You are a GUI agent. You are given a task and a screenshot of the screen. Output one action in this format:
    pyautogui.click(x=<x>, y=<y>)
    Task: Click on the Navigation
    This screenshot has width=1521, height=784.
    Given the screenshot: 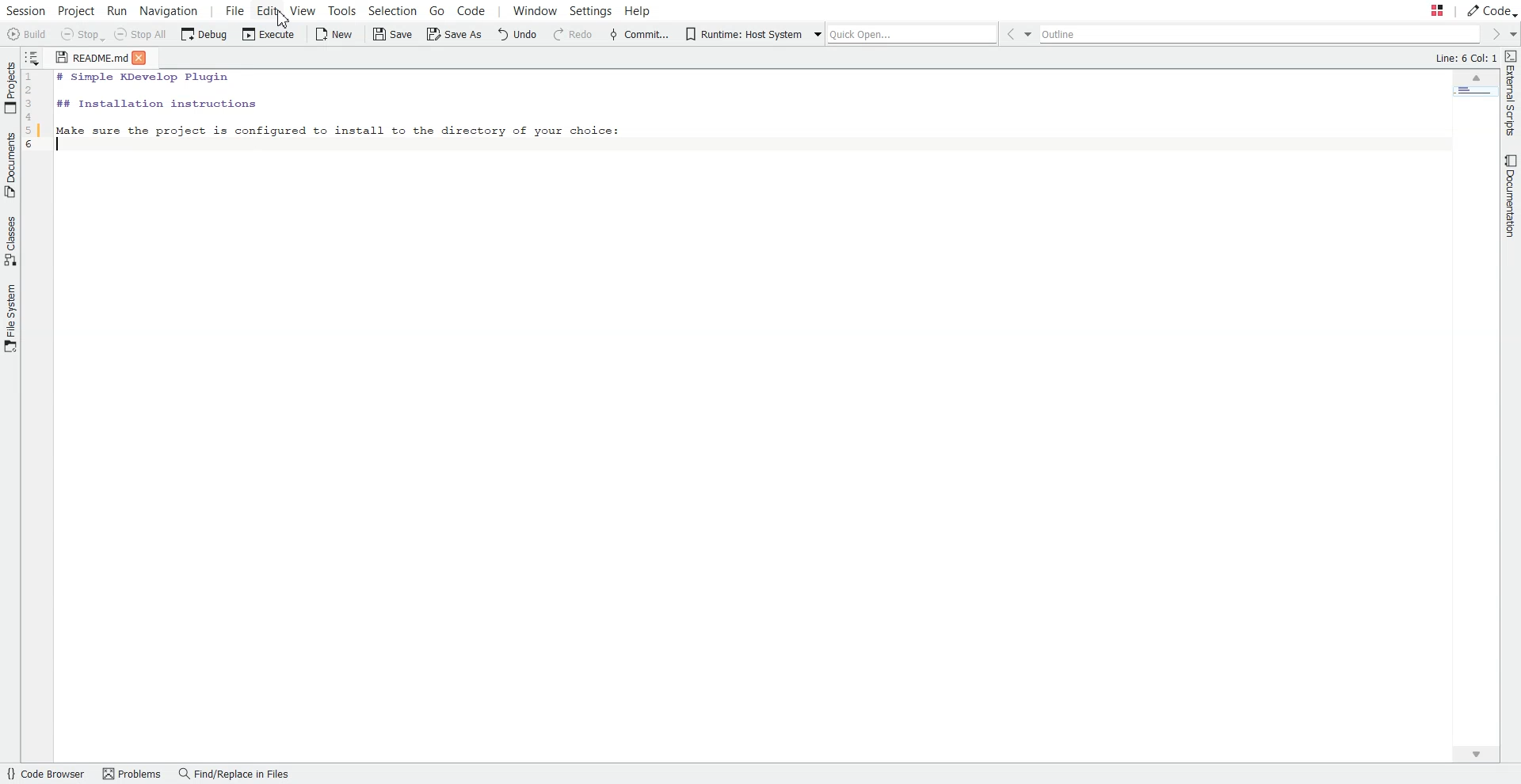 What is the action you would take?
    pyautogui.click(x=170, y=10)
    